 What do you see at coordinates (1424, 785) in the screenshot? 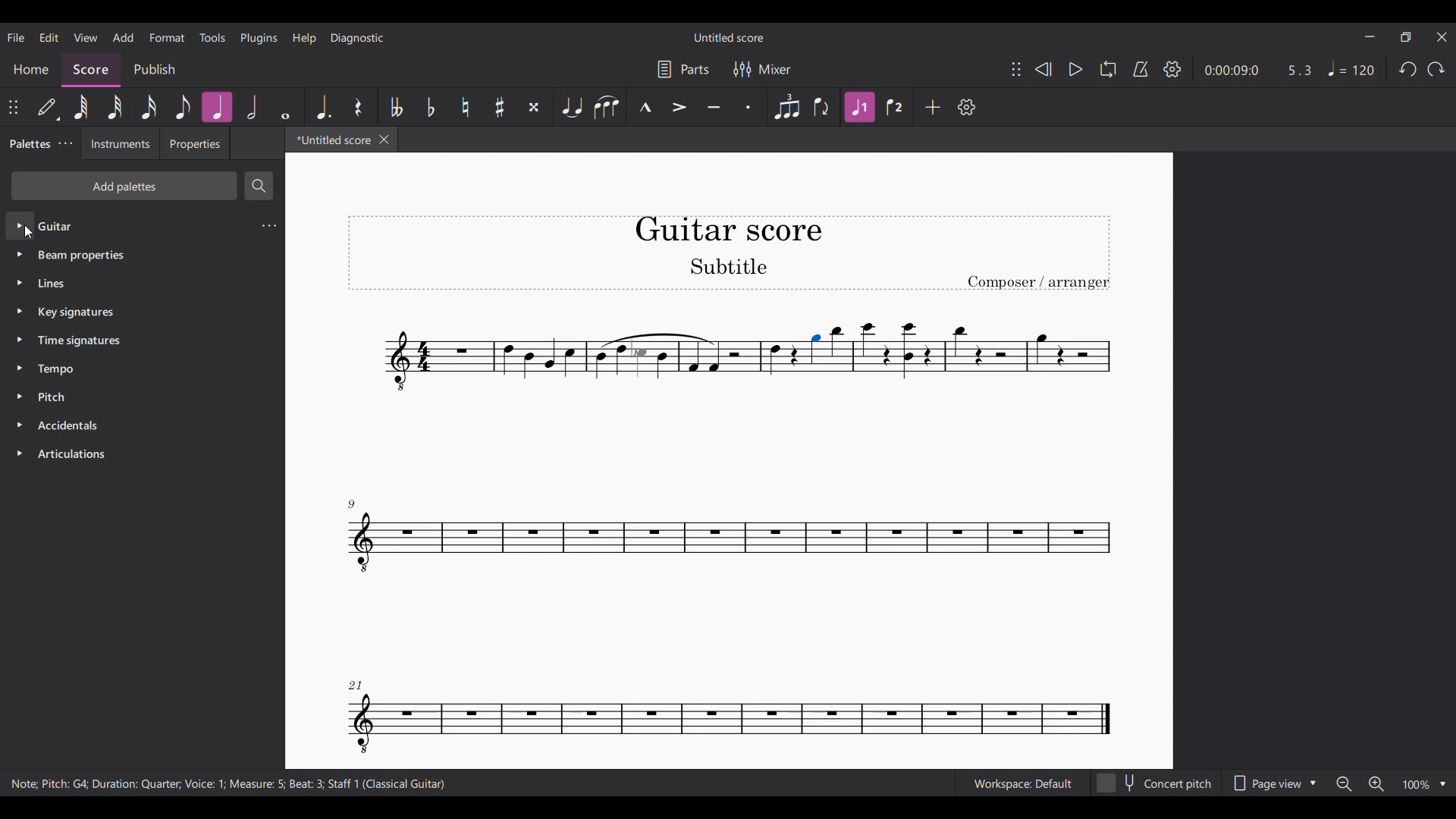
I see `Zoom options` at bounding box center [1424, 785].